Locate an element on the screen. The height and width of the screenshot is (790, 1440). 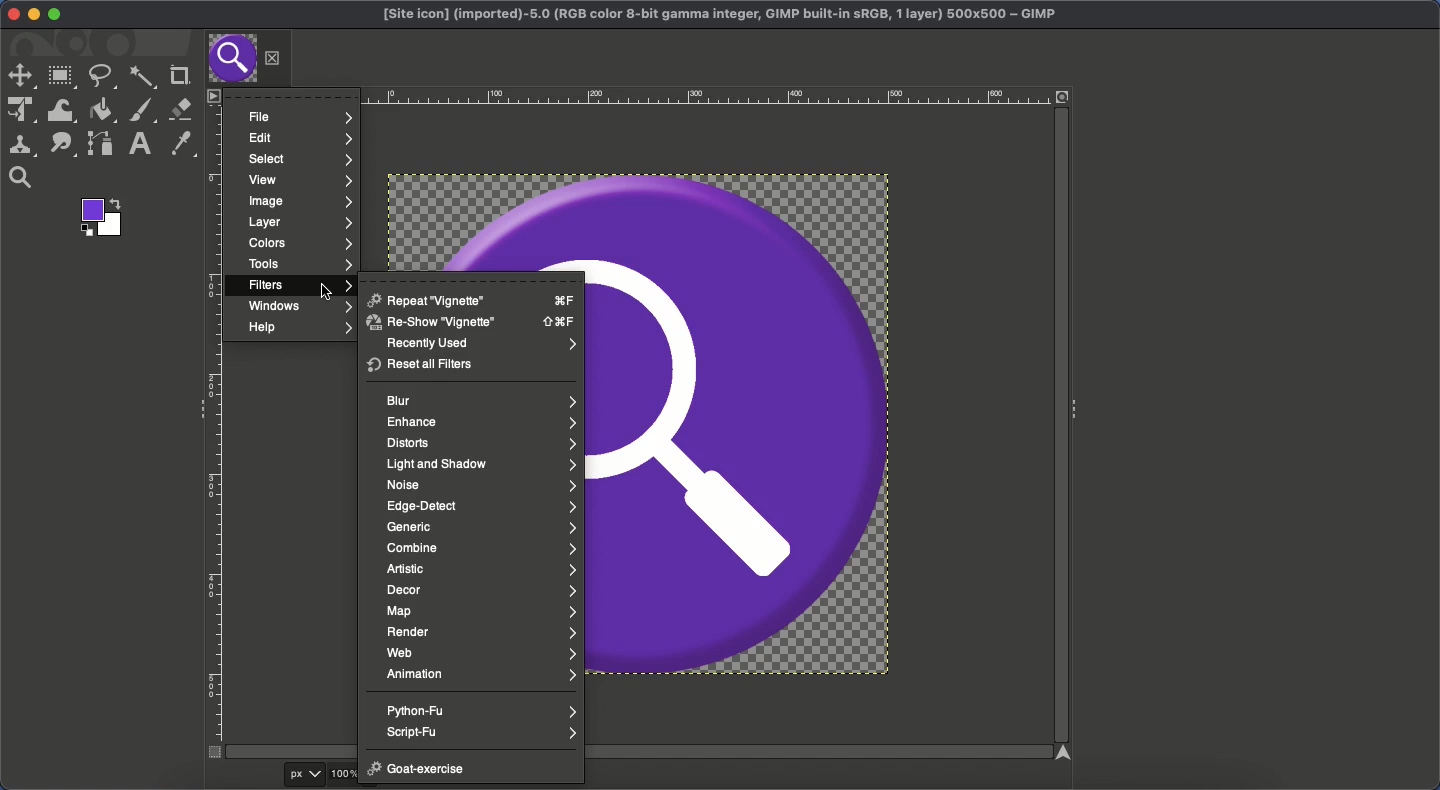
Ruler is located at coordinates (215, 432).